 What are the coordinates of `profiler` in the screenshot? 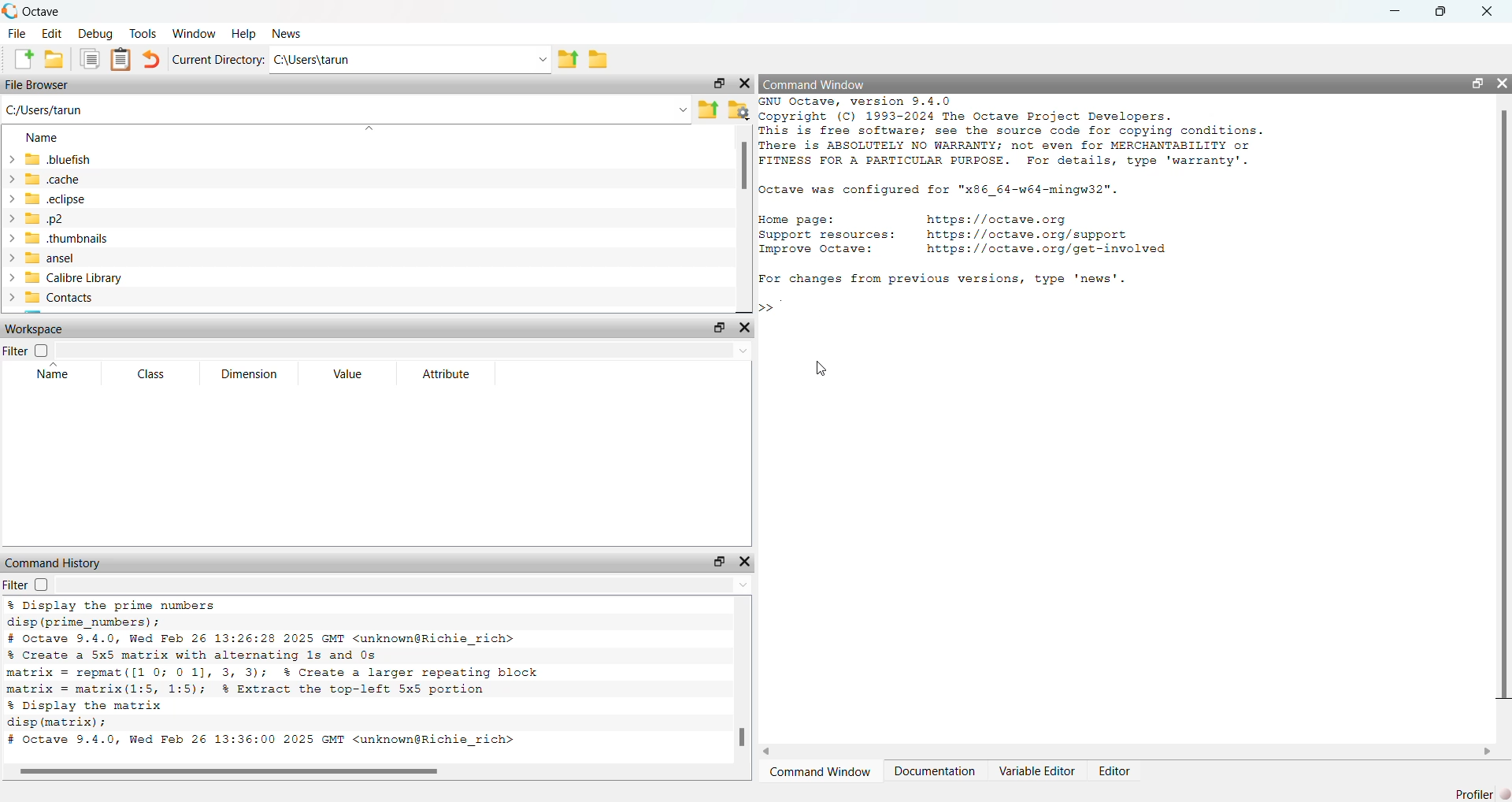 It's located at (1482, 790).